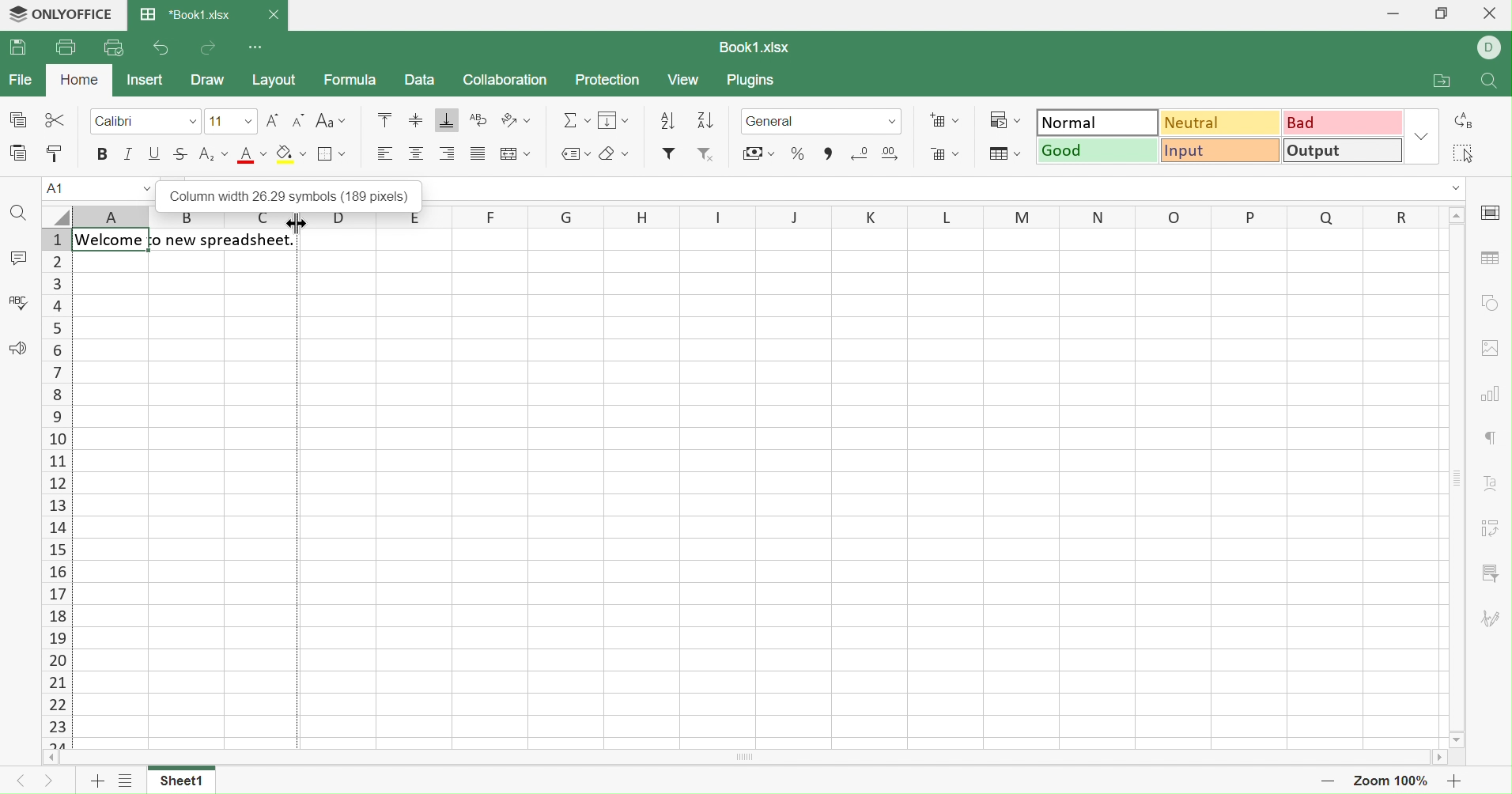  I want to click on Insert Filter, so click(670, 153).